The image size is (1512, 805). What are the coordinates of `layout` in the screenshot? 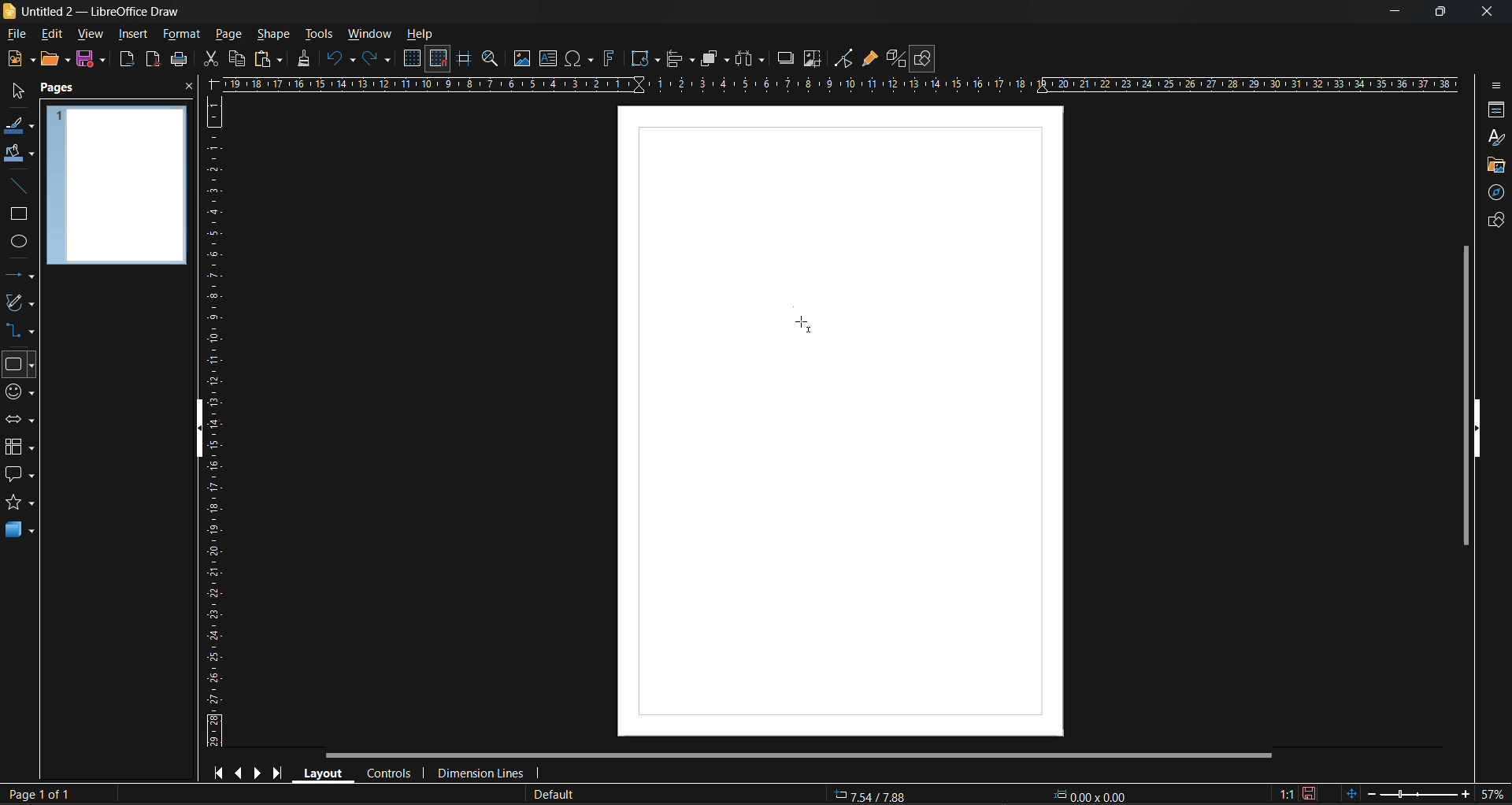 It's located at (320, 772).